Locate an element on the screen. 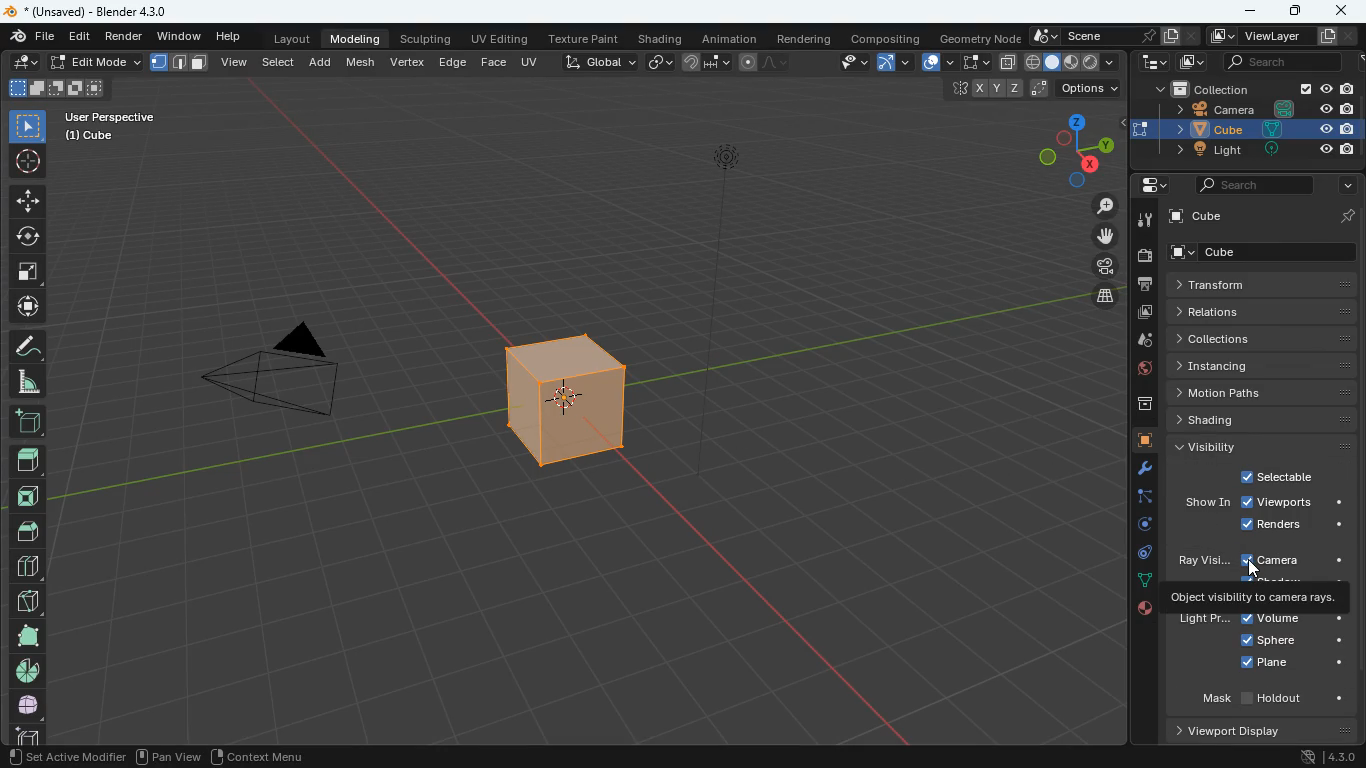 Image resolution: width=1366 pixels, height=768 pixels. select is located at coordinates (278, 65).